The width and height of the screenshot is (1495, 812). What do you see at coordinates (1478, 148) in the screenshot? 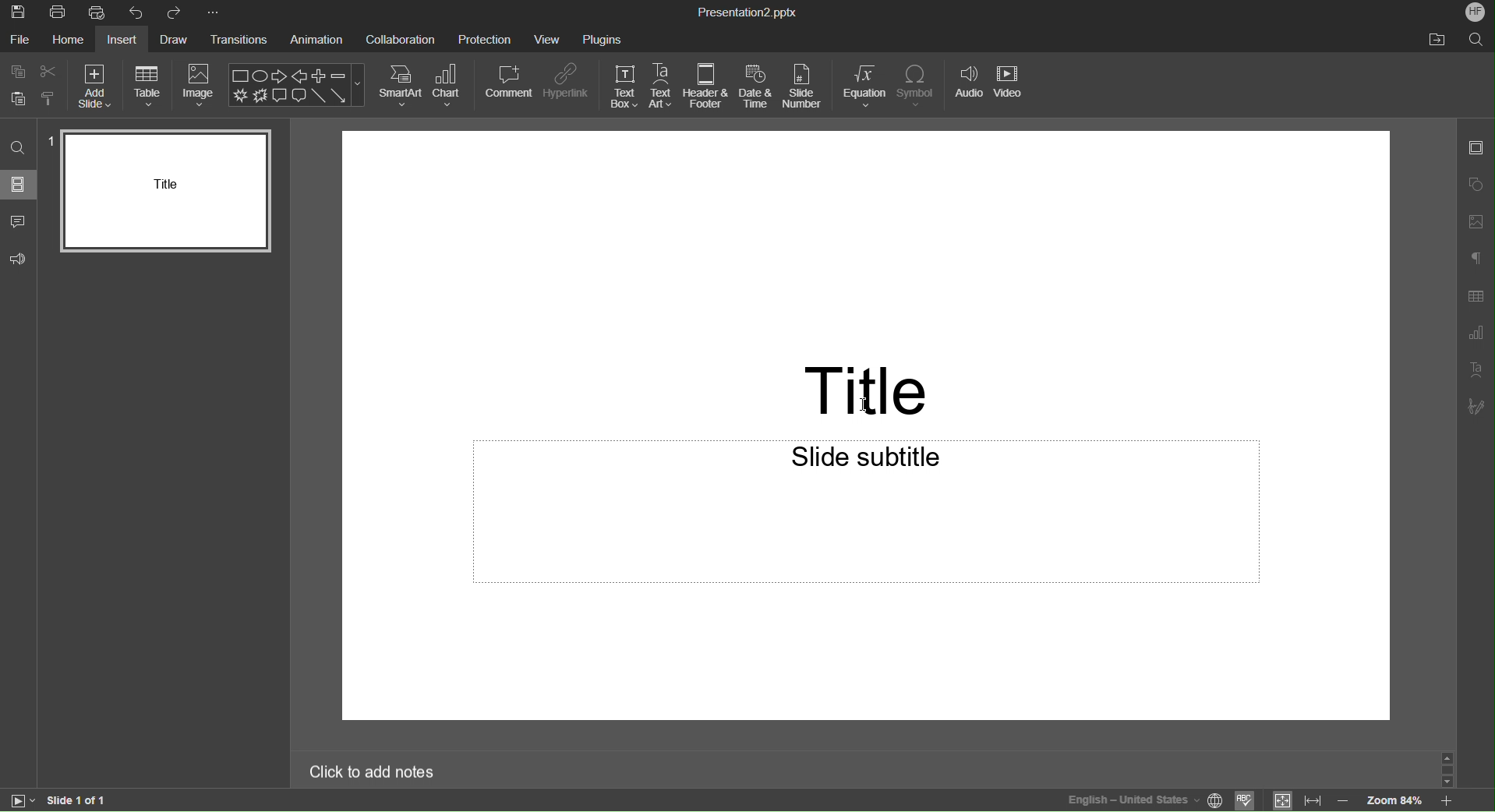
I see `Slides` at bounding box center [1478, 148].